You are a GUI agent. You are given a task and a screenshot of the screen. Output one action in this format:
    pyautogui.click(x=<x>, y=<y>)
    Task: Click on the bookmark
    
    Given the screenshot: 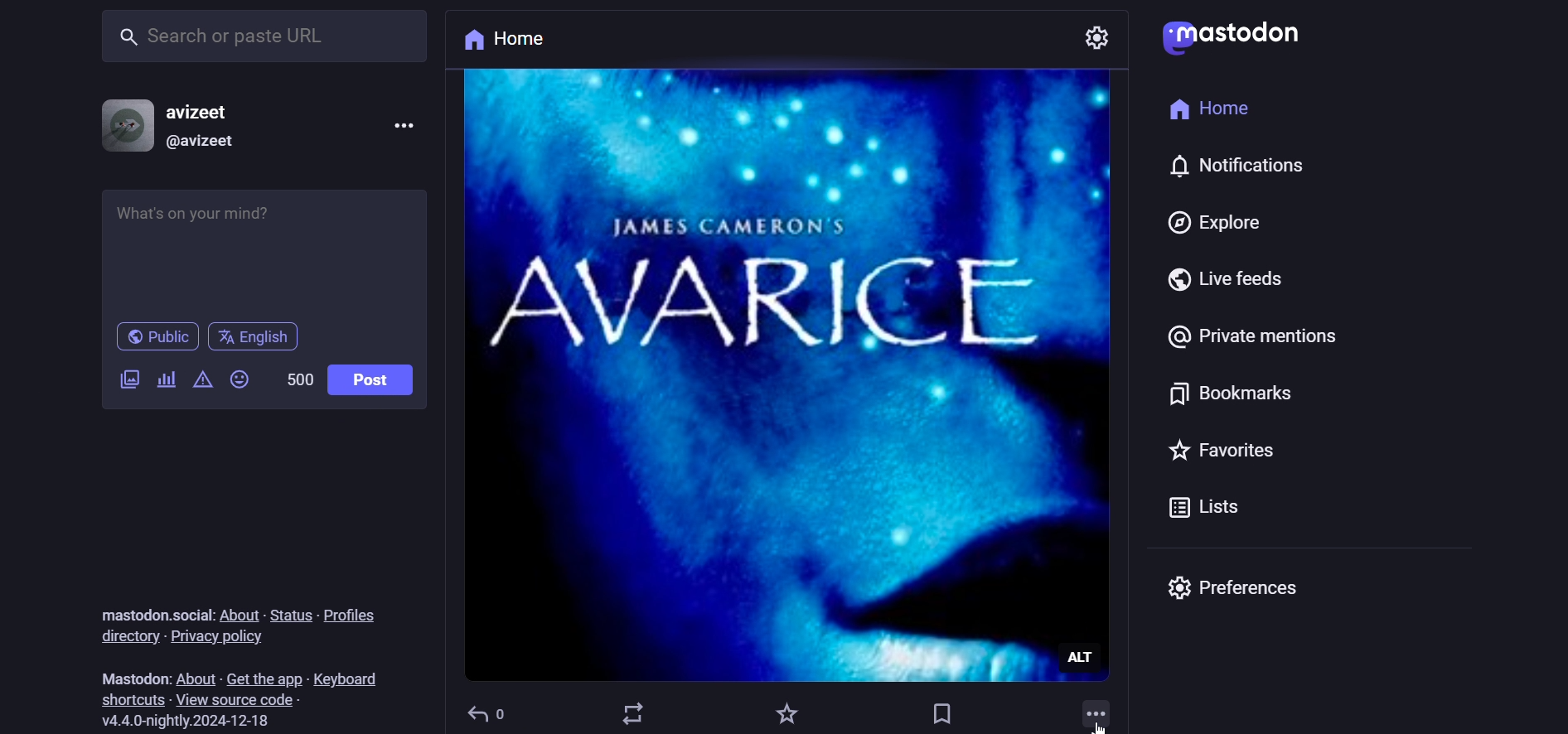 What is the action you would take?
    pyautogui.click(x=940, y=713)
    